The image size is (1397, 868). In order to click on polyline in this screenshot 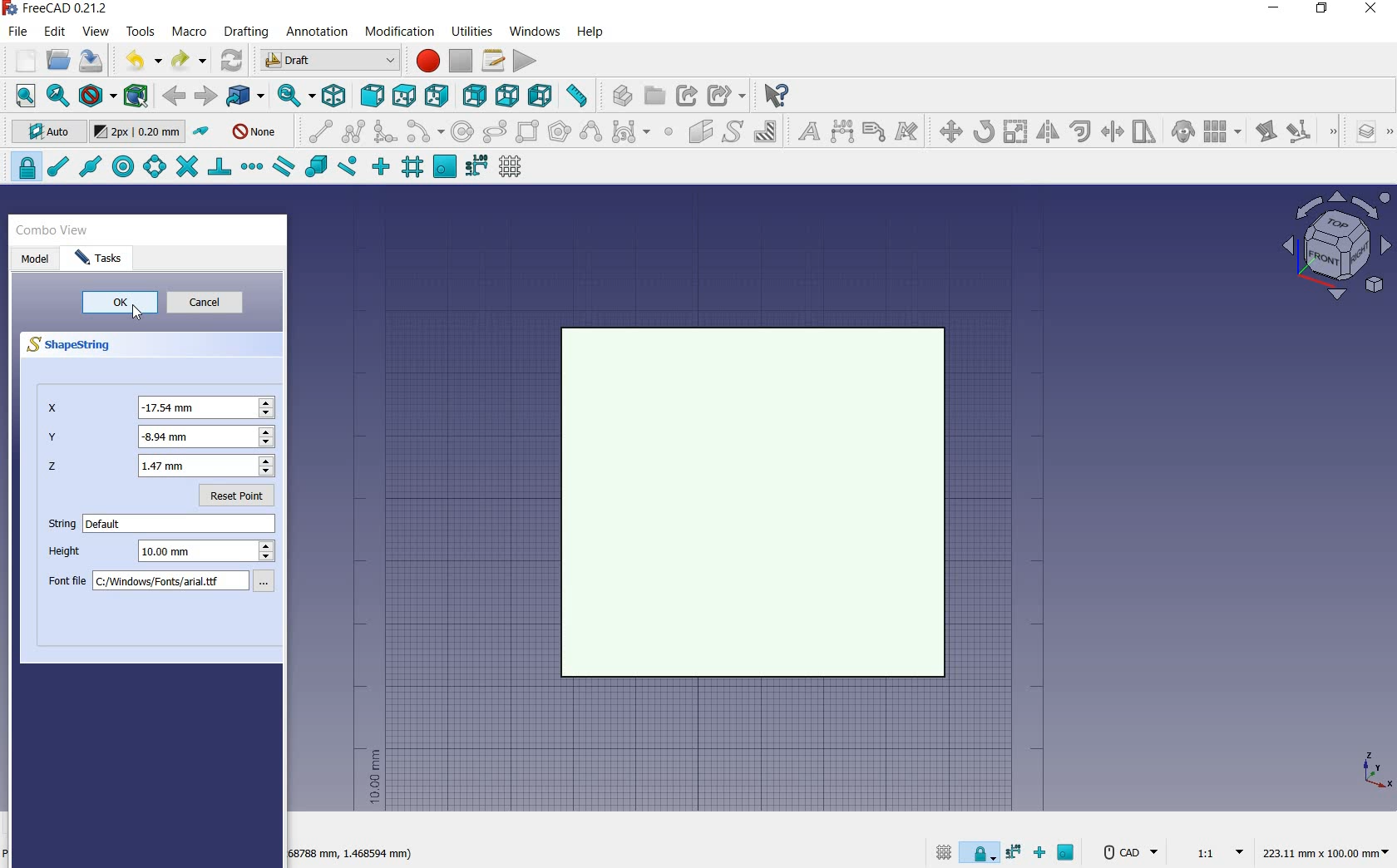, I will do `click(354, 131)`.